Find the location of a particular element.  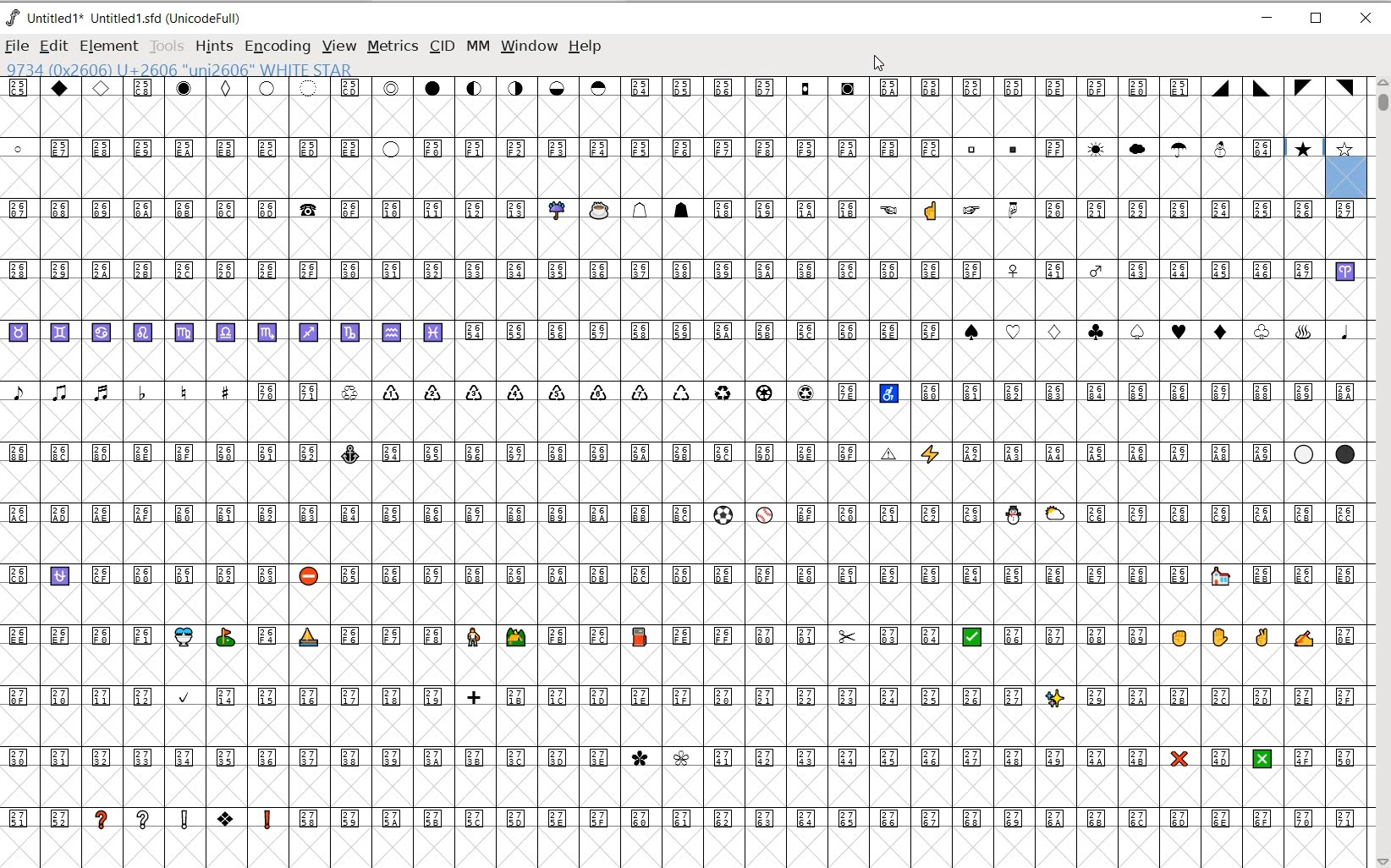

ENCODING is located at coordinates (276, 47).